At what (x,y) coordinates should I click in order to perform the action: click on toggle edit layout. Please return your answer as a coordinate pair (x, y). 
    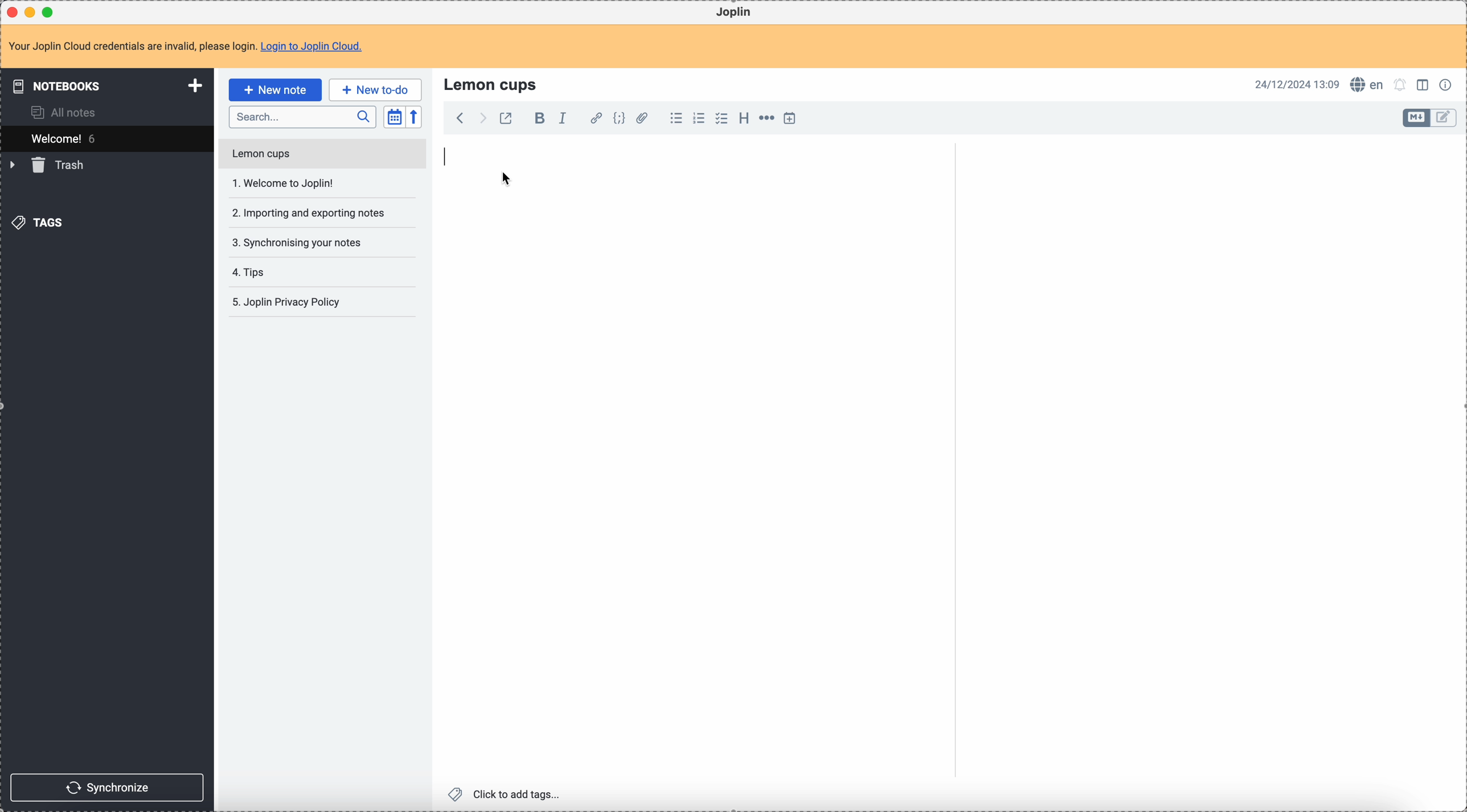
    Looking at the image, I should click on (1417, 118).